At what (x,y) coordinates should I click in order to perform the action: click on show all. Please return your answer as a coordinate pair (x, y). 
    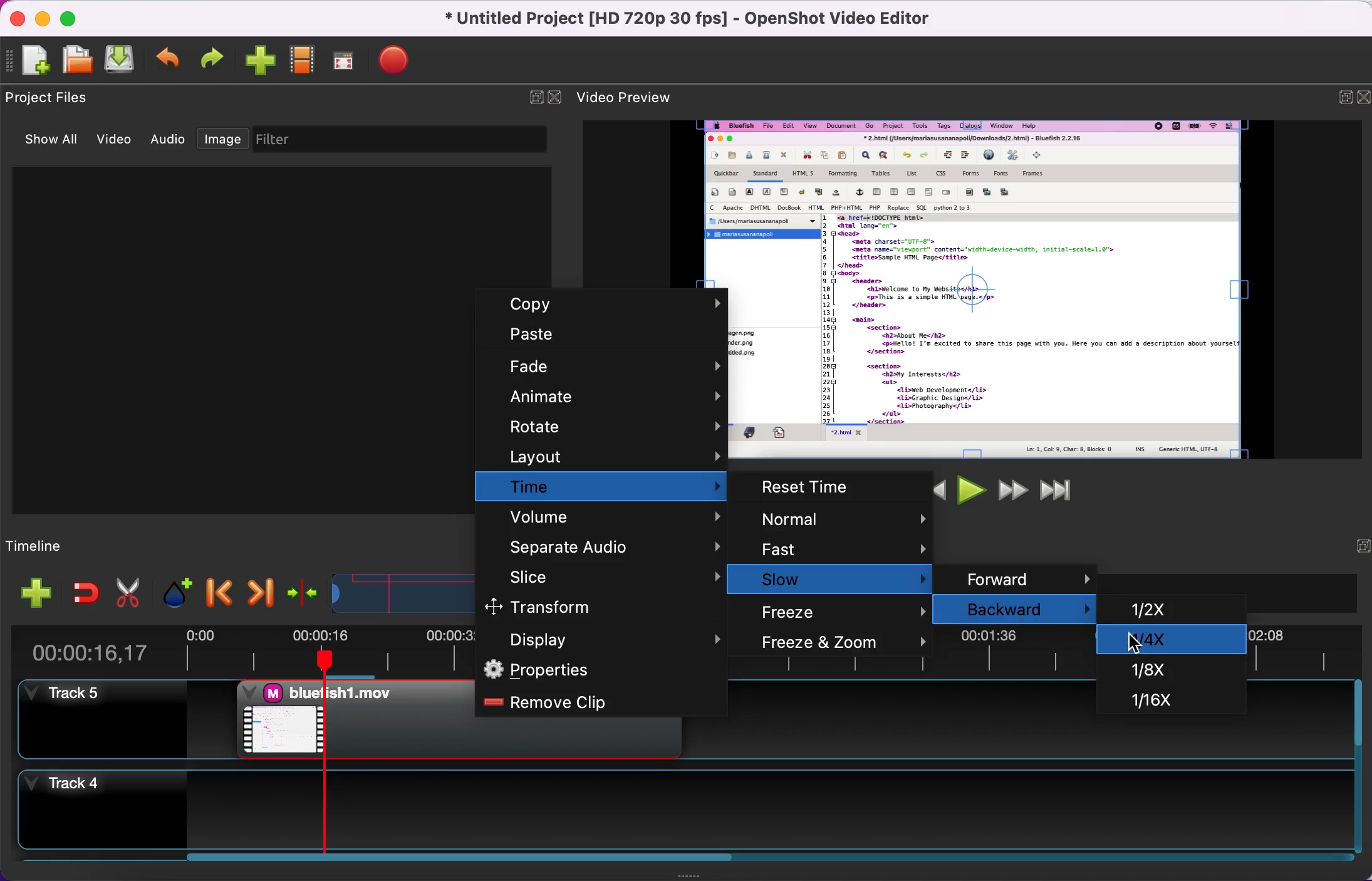
    Looking at the image, I should click on (56, 142).